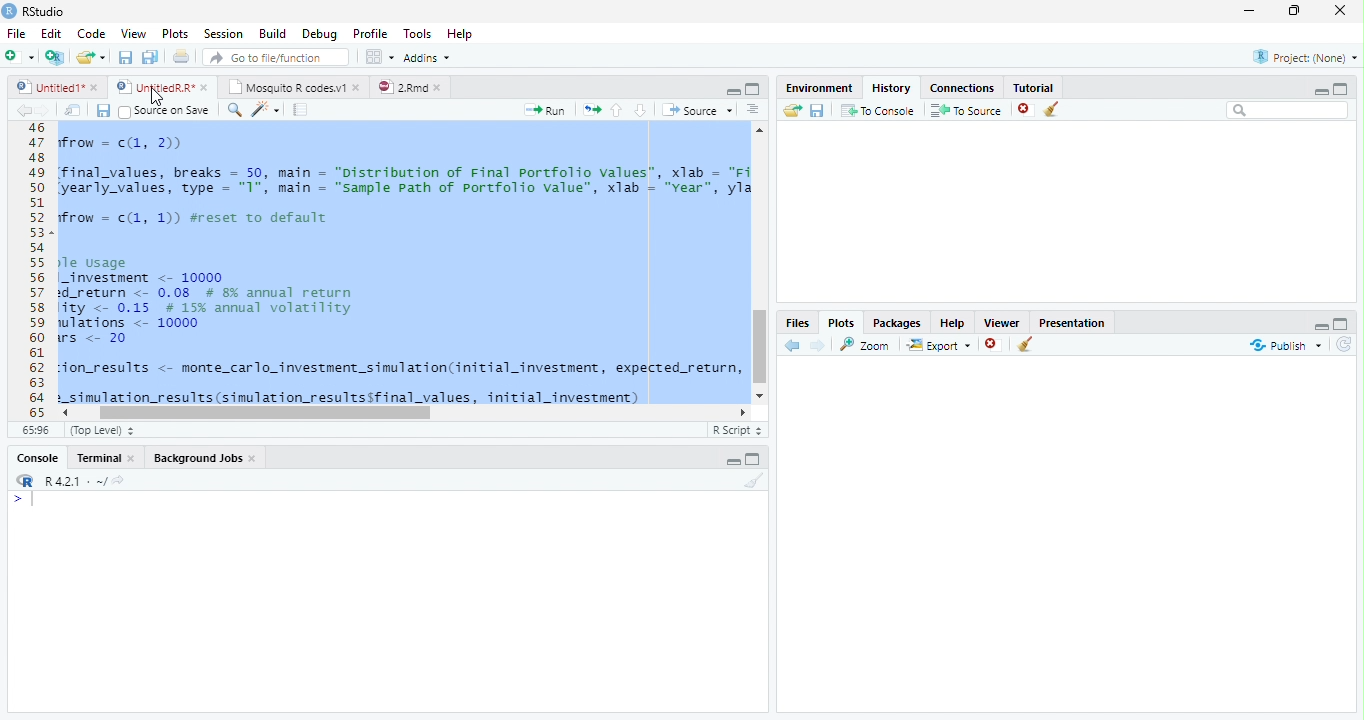 This screenshot has height=720, width=1364. Describe the element at coordinates (91, 56) in the screenshot. I see `Open an existing file` at that location.